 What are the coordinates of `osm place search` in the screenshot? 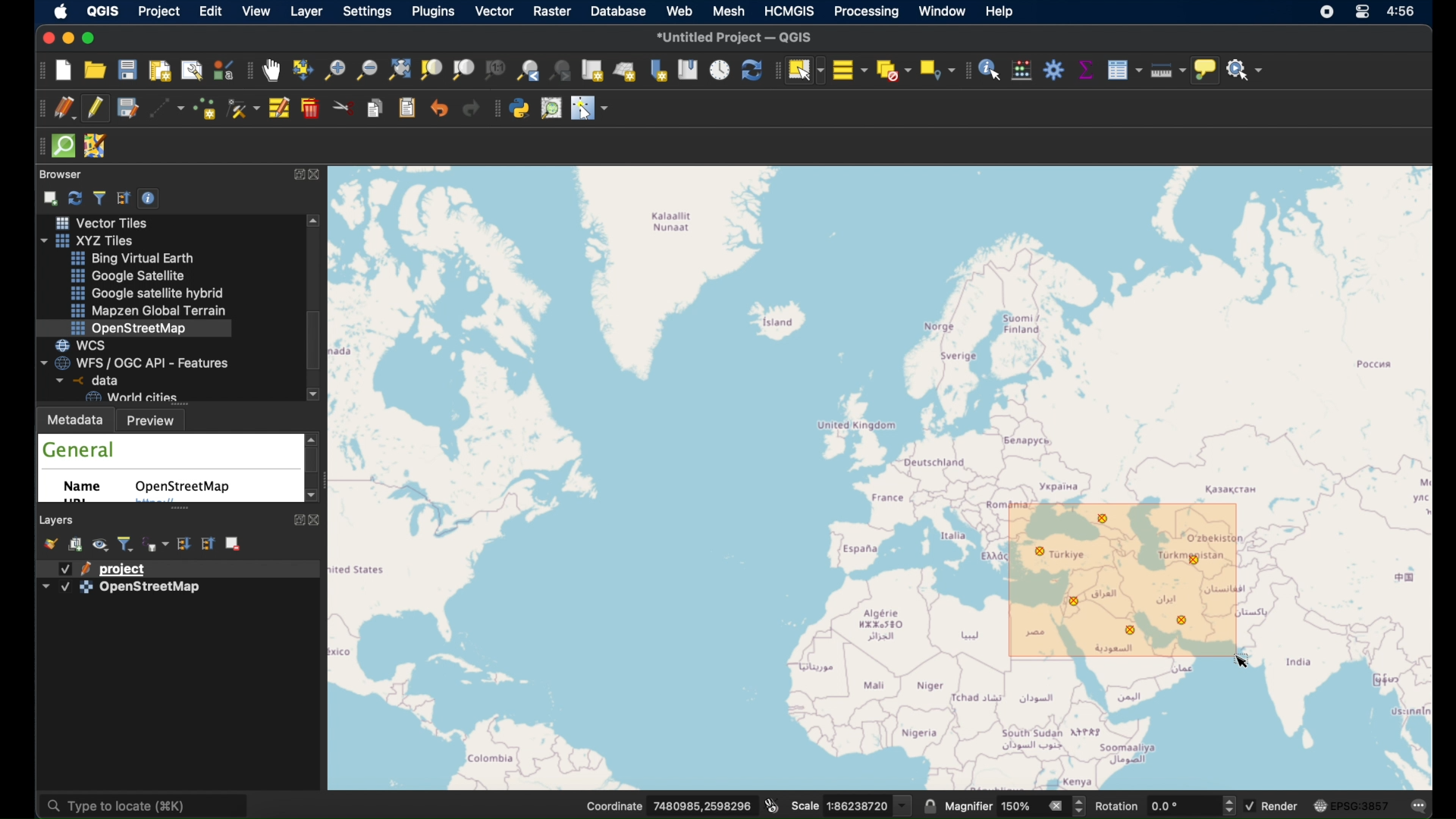 It's located at (553, 108).